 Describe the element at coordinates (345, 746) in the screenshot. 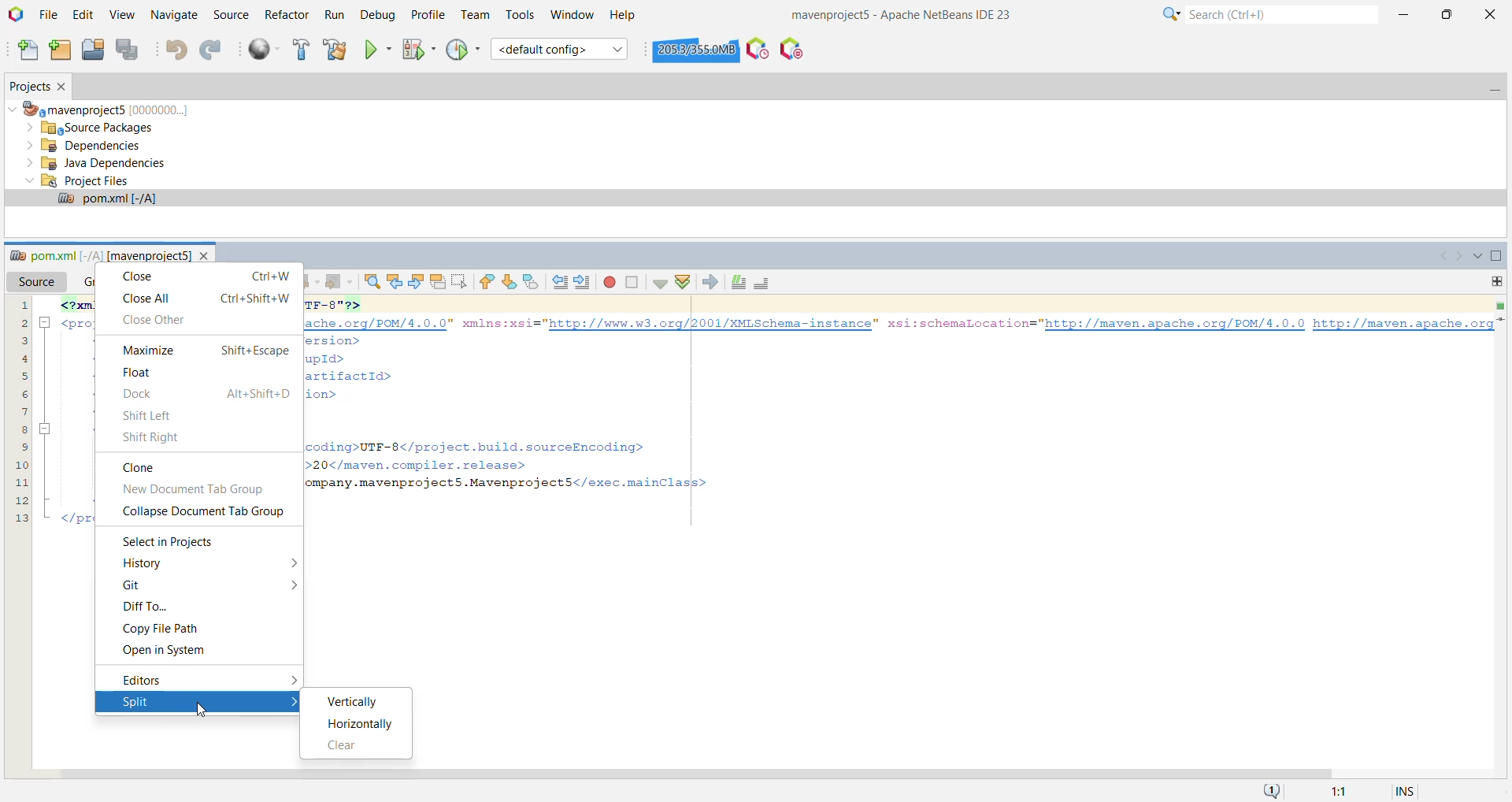

I see `Clear` at that location.